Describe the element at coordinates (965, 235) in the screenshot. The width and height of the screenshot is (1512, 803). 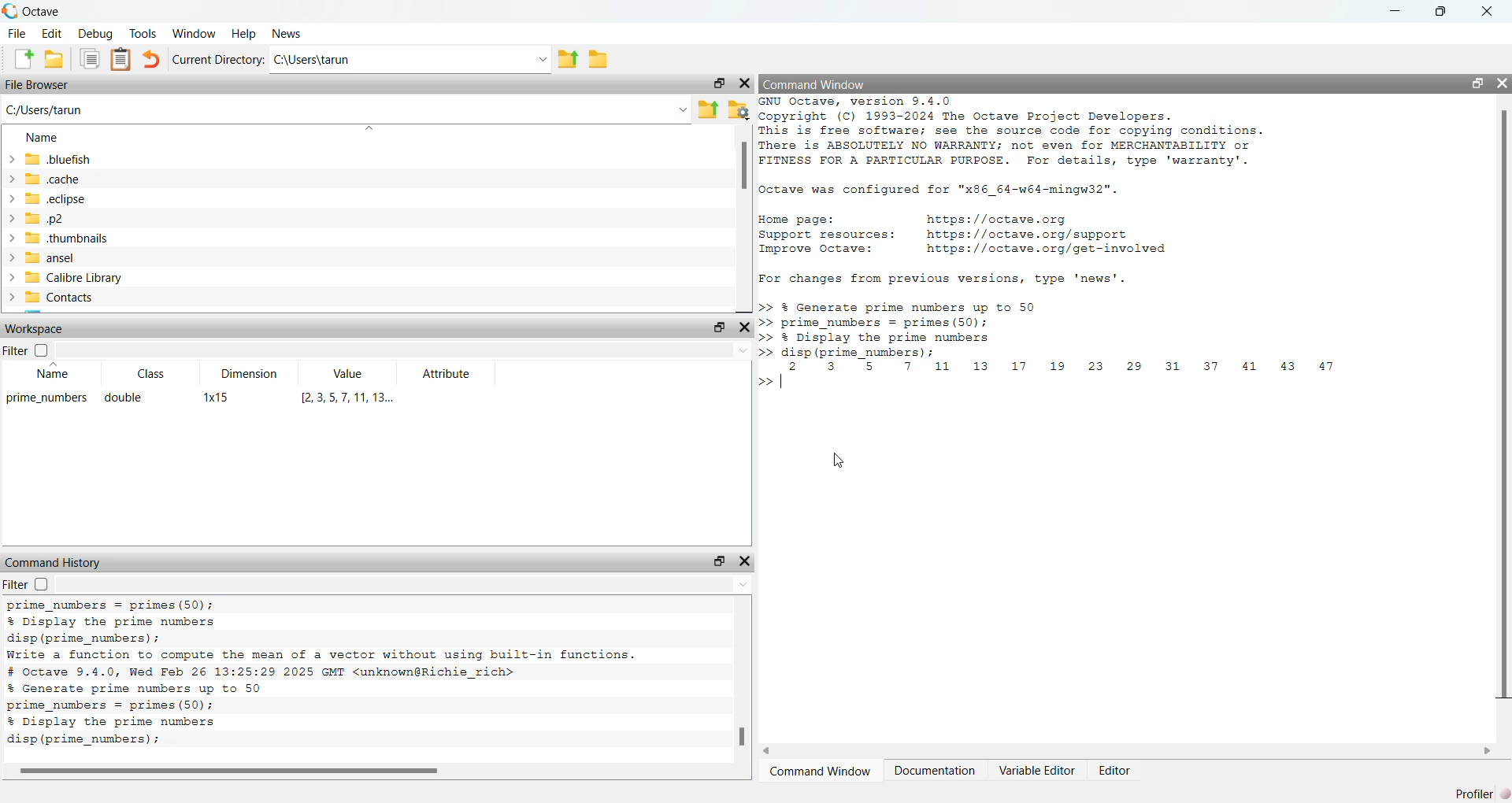
I see `Home page: https://octave.org
Support resources: https: //octave.org/support
Improve Octave: https://octave.org/get-involved` at that location.